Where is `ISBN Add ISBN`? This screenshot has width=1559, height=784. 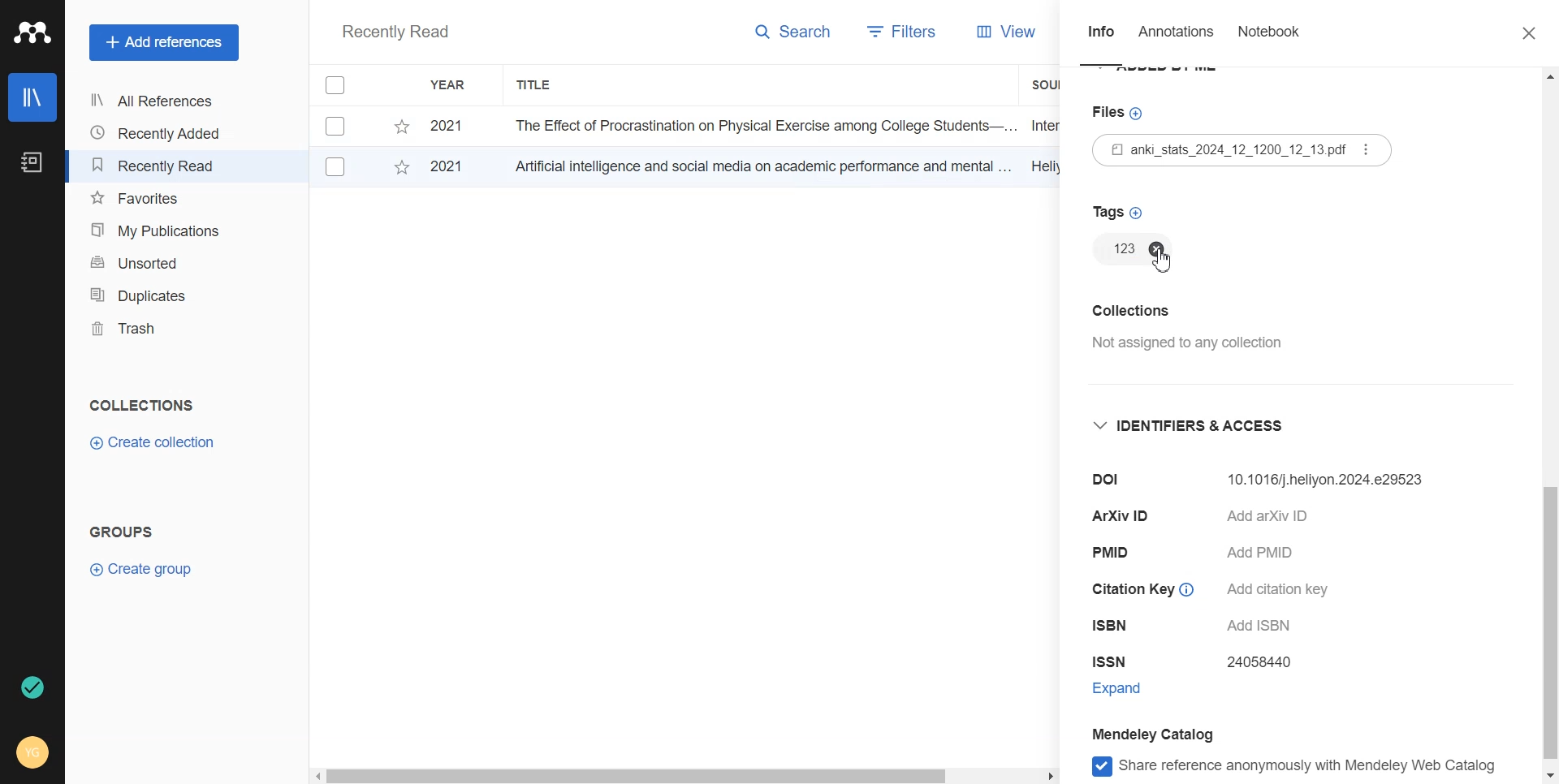
ISBN Add ISBN is located at coordinates (1202, 627).